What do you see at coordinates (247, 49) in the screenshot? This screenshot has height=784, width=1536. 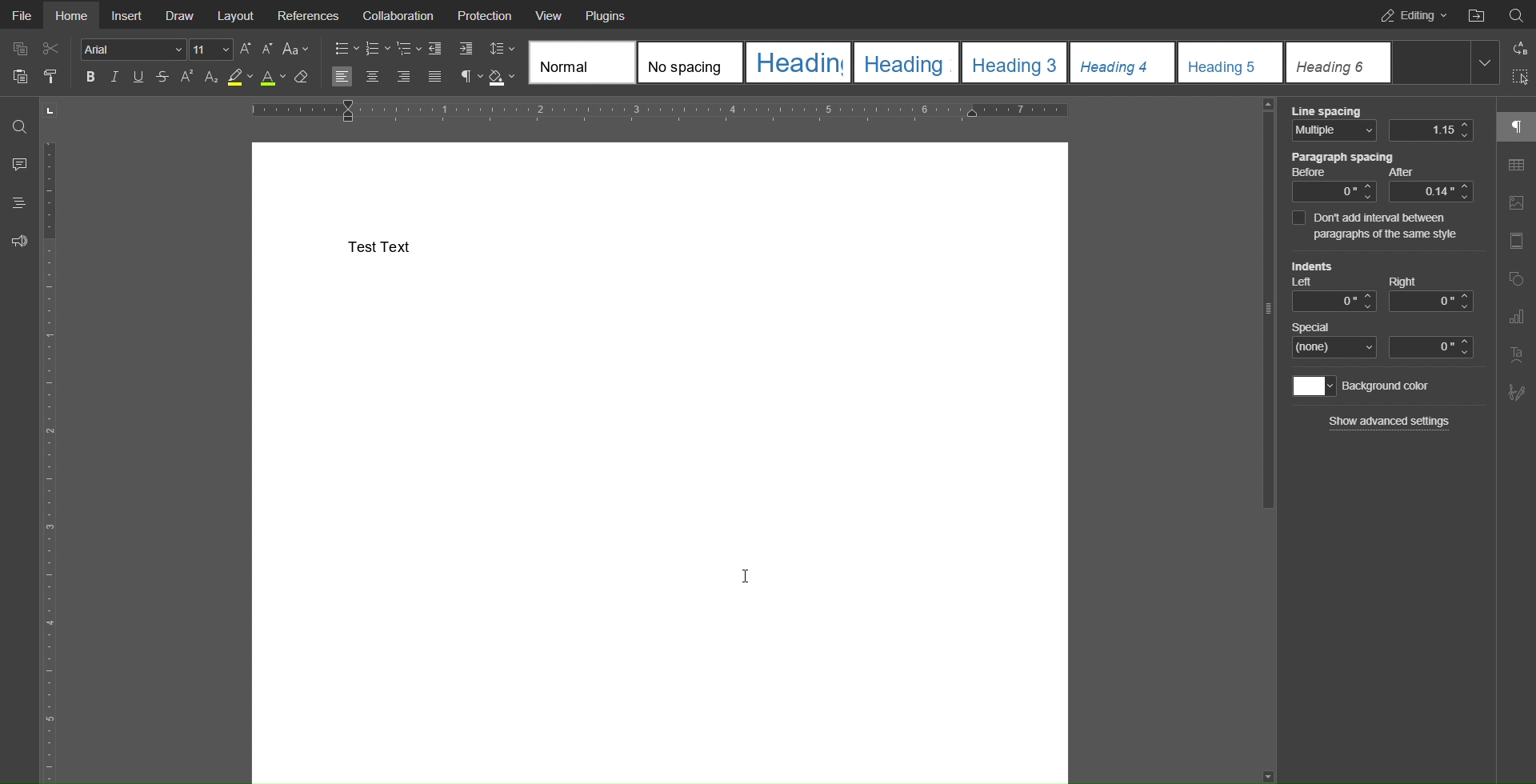 I see `Increase Size` at bounding box center [247, 49].